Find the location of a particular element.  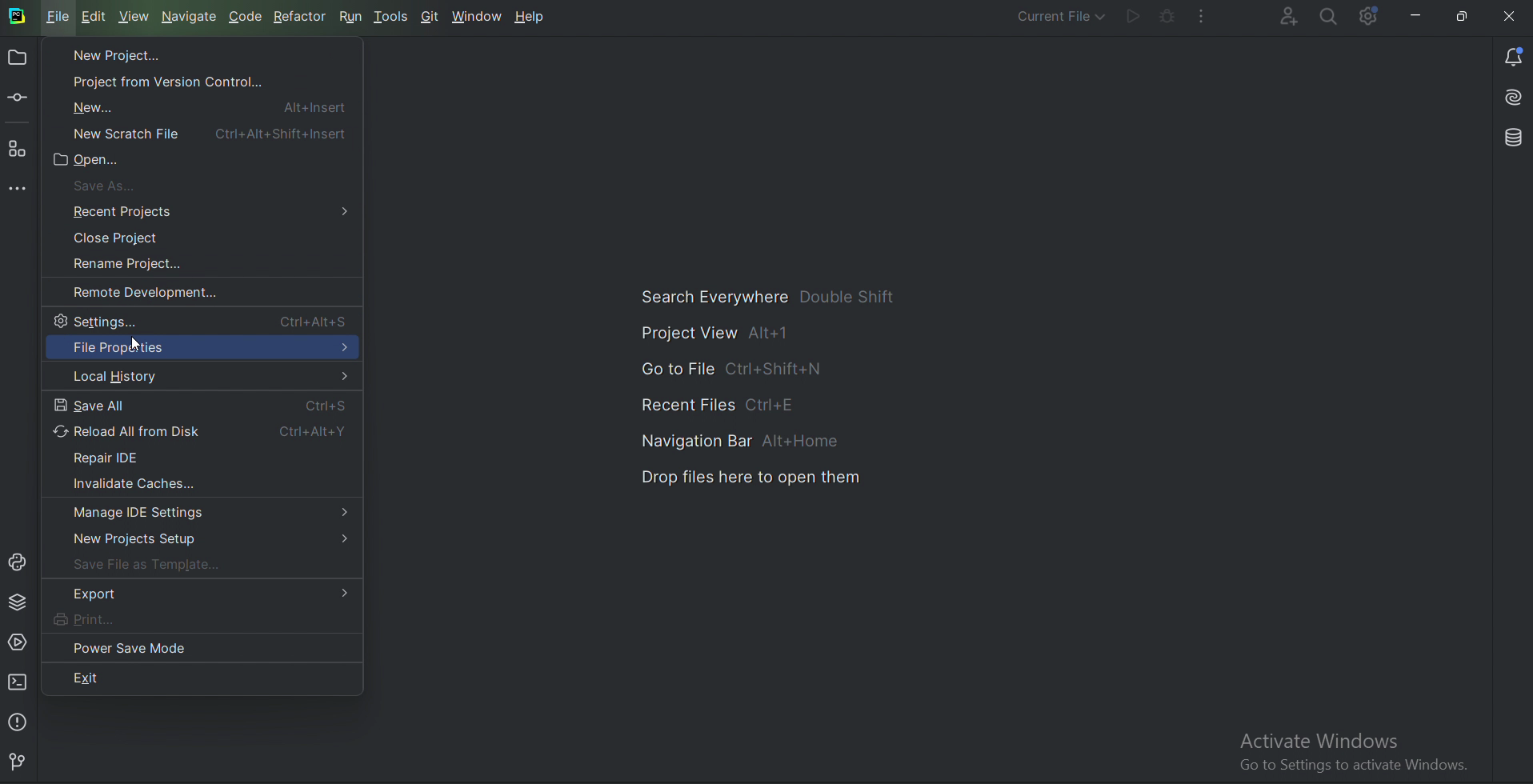

Restore down is located at coordinates (1463, 13).